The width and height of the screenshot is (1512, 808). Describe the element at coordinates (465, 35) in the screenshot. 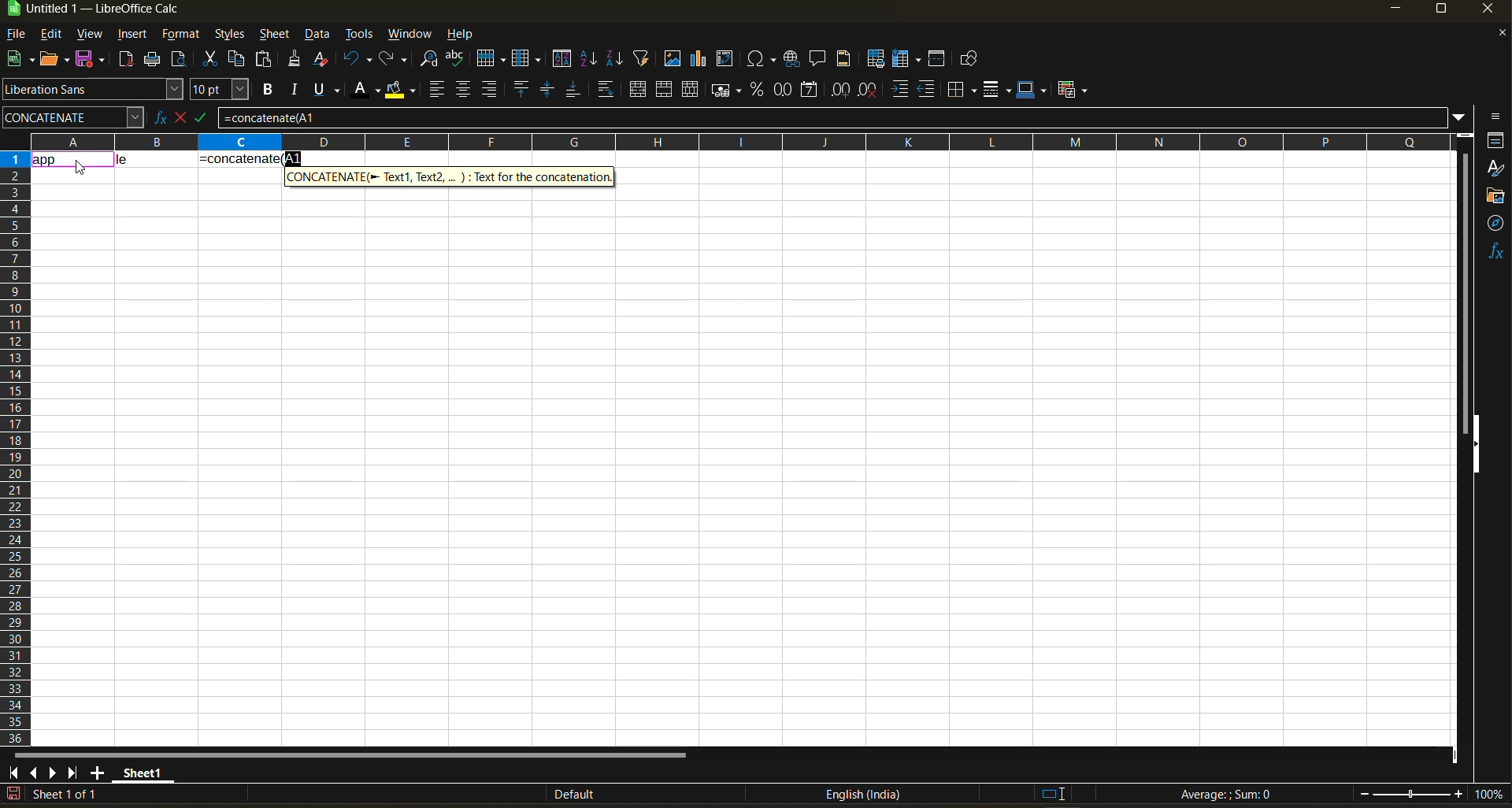

I see `help` at that location.